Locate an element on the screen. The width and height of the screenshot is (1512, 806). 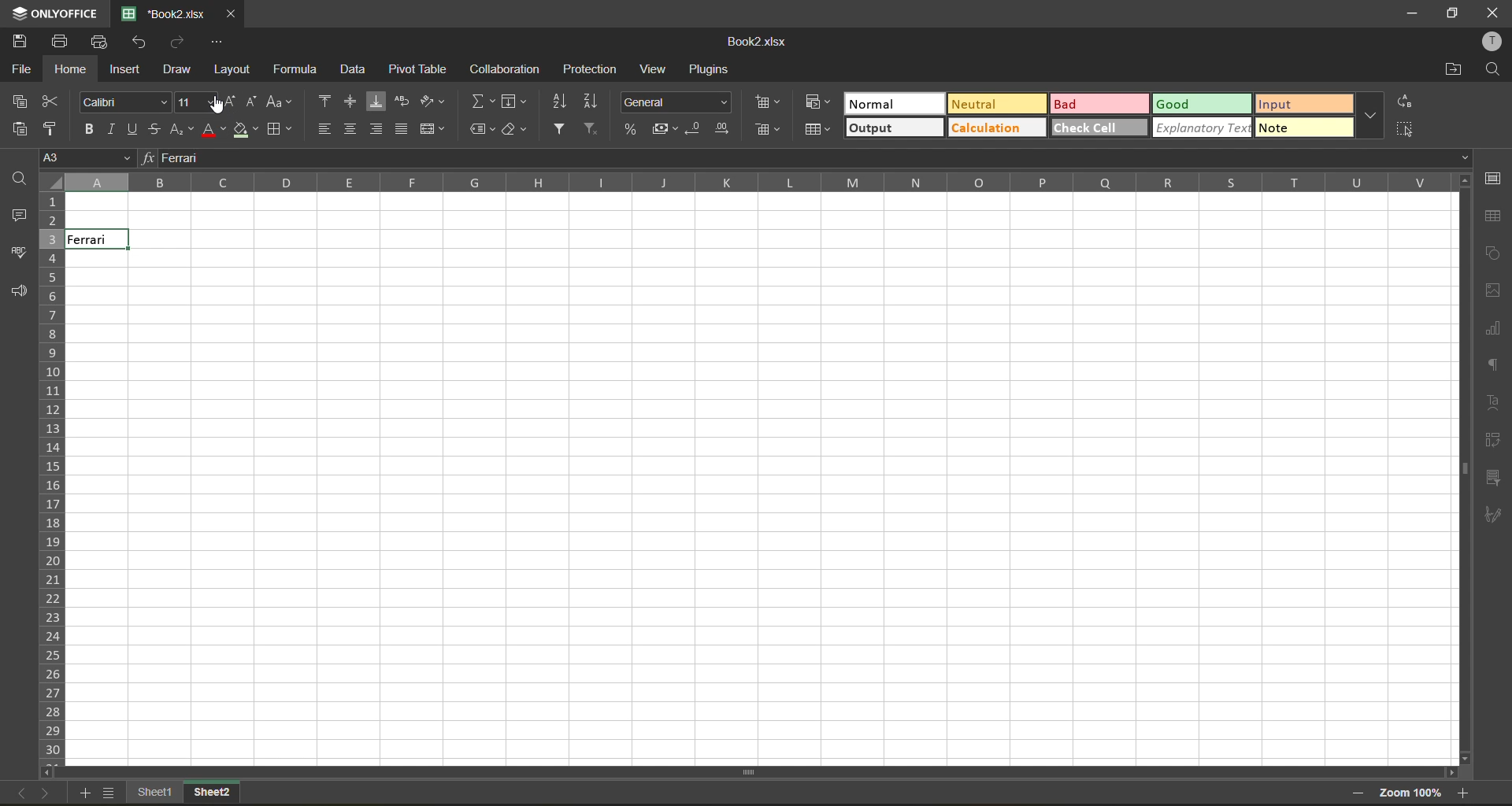
zoom factor is located at coordinates (1410, 793).